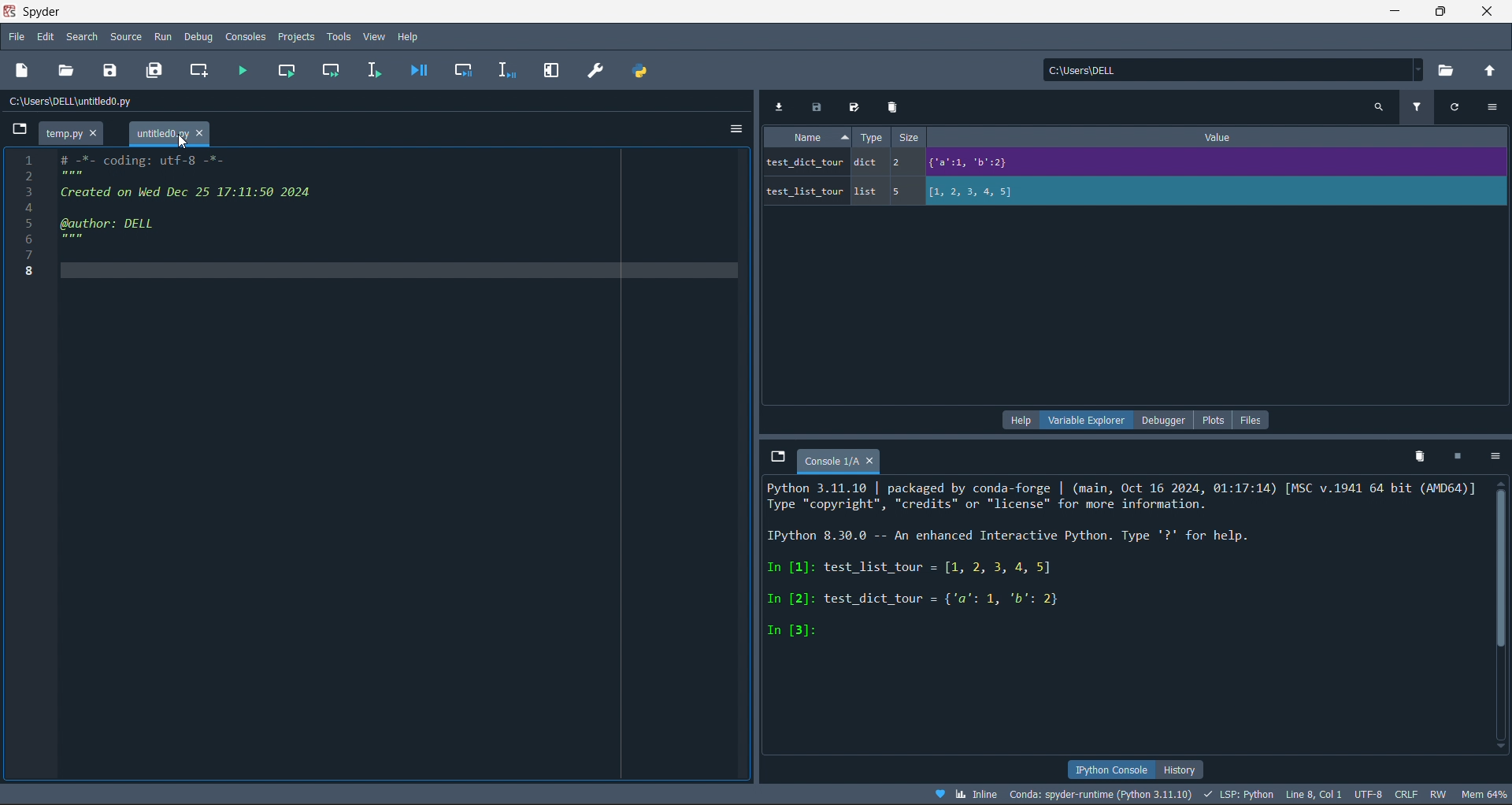 Image resolution: width=1512 pixels, height=805 pixels. What do you see at coordinates (1251, 420) in the screenshot?
I see `files pane` at bounding box center [1251, 420].